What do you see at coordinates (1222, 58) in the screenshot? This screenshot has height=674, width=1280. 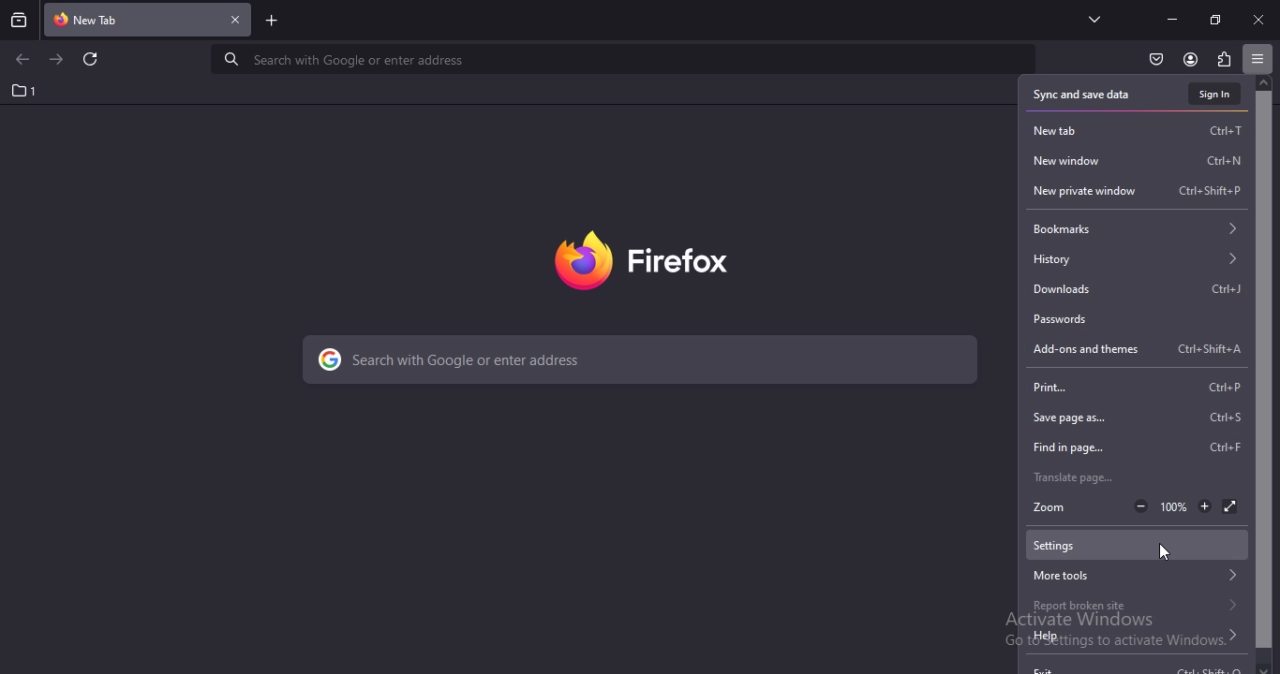 I see `extensions` at bounding box center [1222, 58].